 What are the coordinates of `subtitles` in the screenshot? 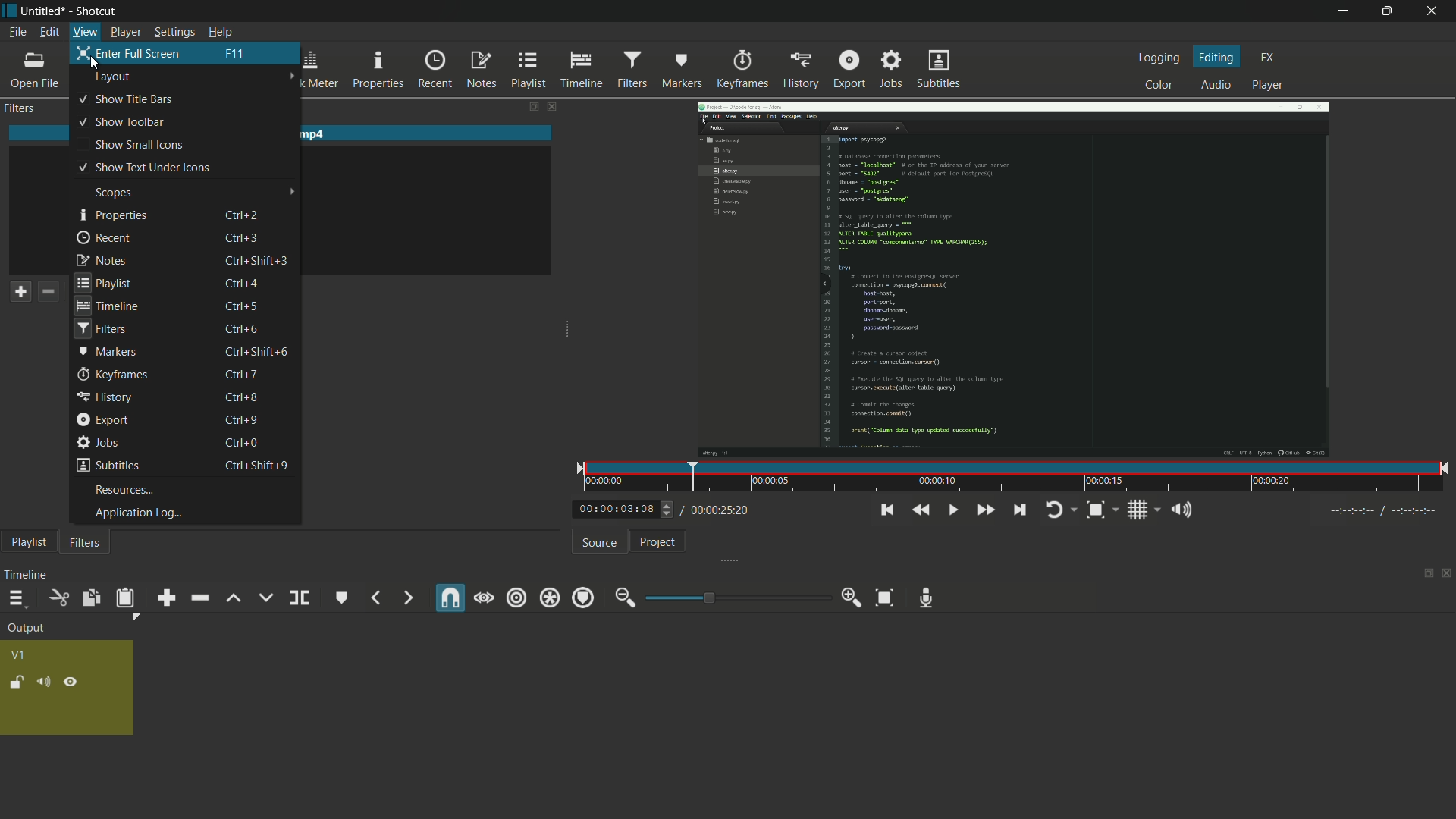 It's located at (939, 68).